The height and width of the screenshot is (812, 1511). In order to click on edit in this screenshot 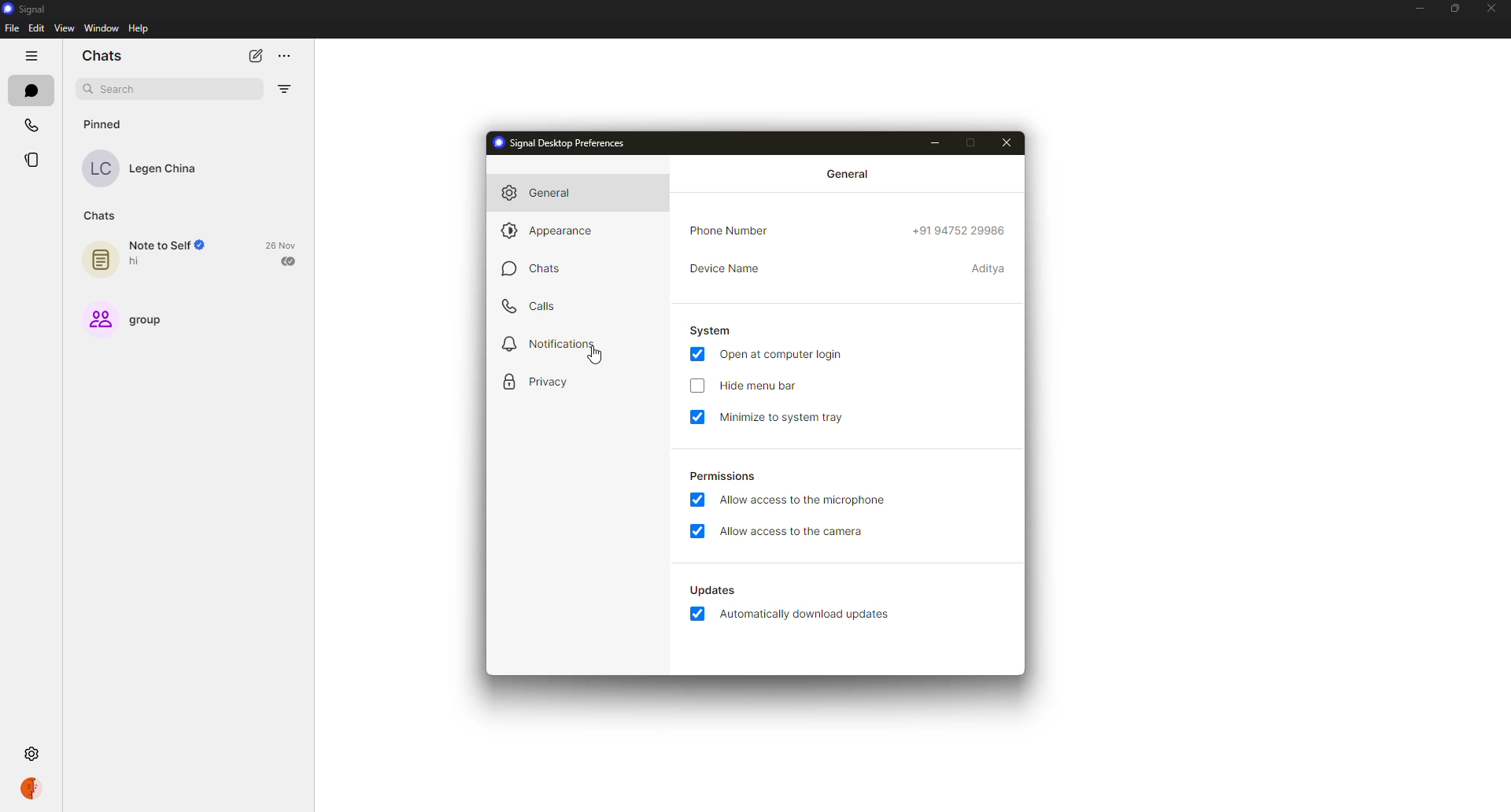, I will do `click(35, 29)`.